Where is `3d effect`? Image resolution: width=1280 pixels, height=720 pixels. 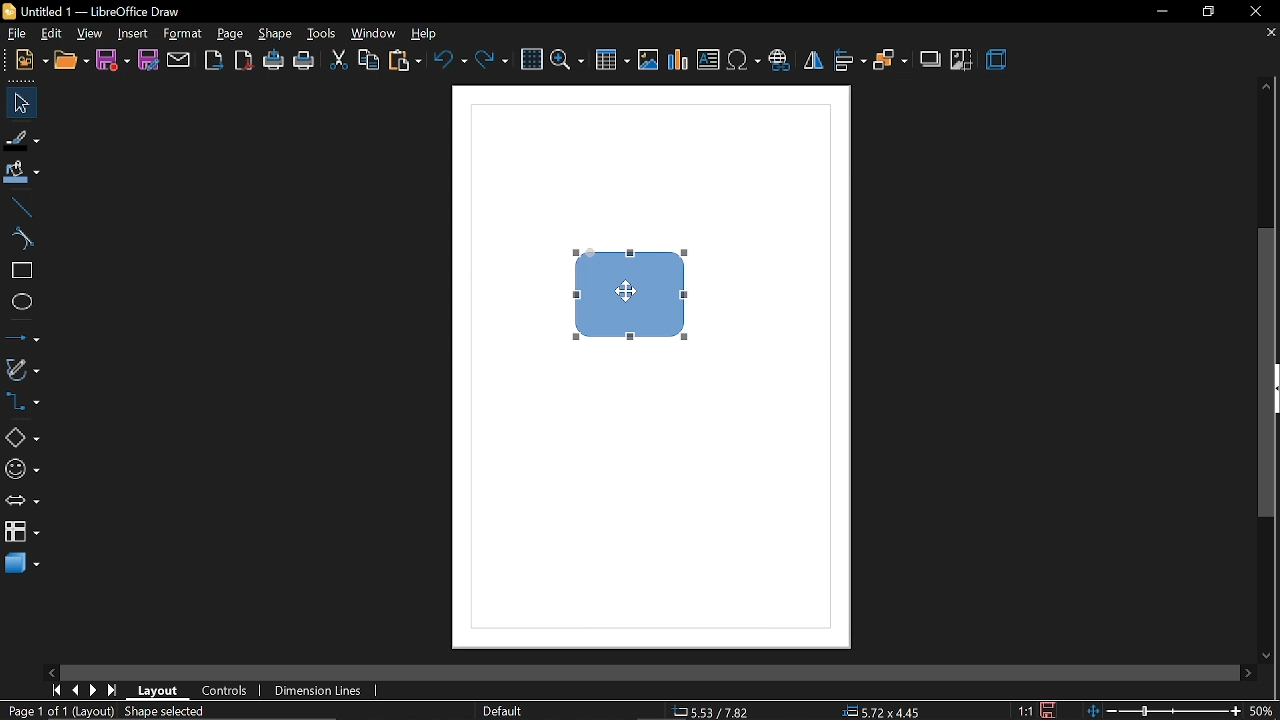 3d effect is located at coordinates (1000, 60).